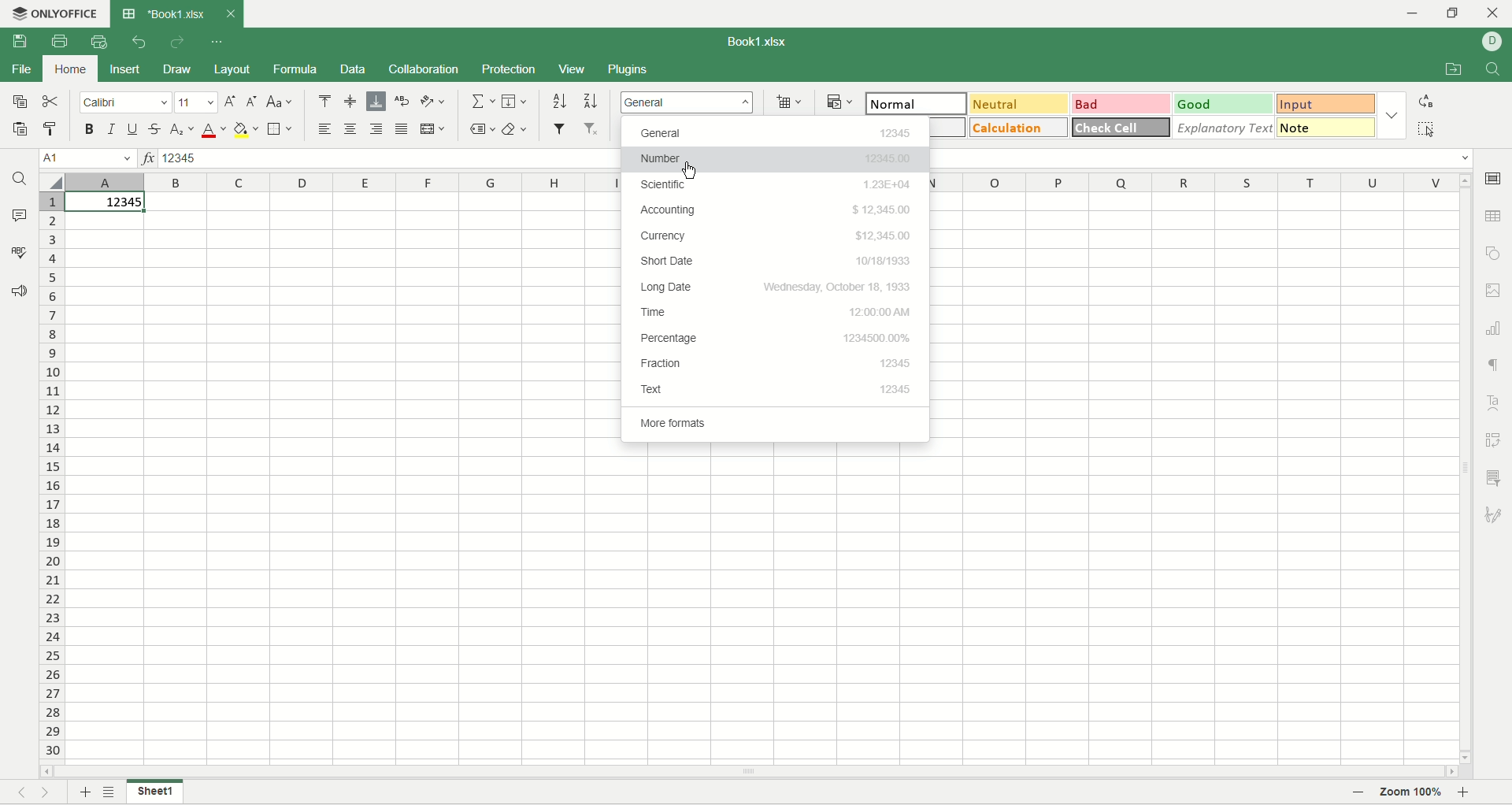 This screenshot has width=1512, height=805. Describe the element at coordinates (280, 130) in the screenshot. I see `border` at that location.